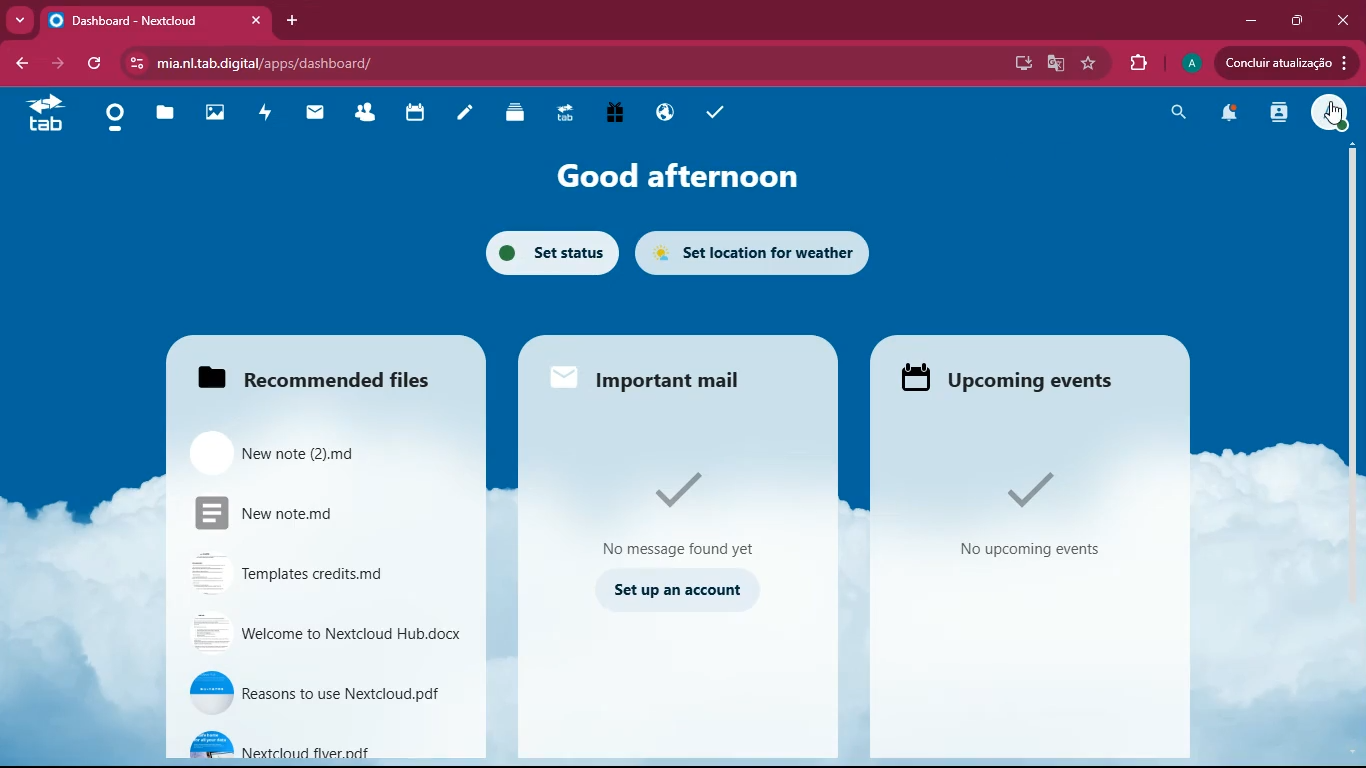 This screenshot has width=1366, height=768. What do you see at coordinates (287, 60) in the screenshot?
I see `url` at bounding box center [287, 60].